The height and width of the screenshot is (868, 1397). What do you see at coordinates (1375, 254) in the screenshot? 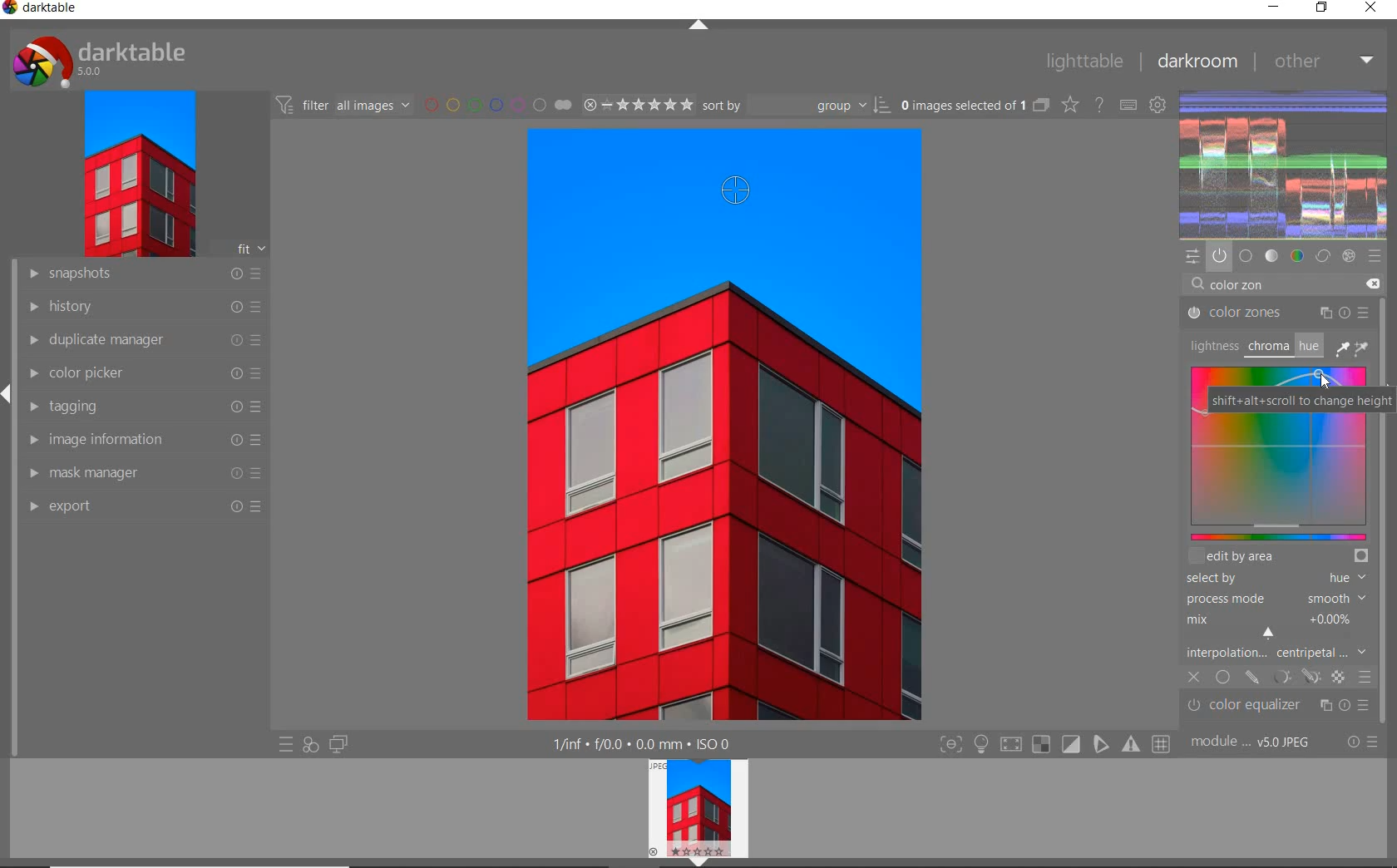
I see `presets` at bounding box center [1375, 254].